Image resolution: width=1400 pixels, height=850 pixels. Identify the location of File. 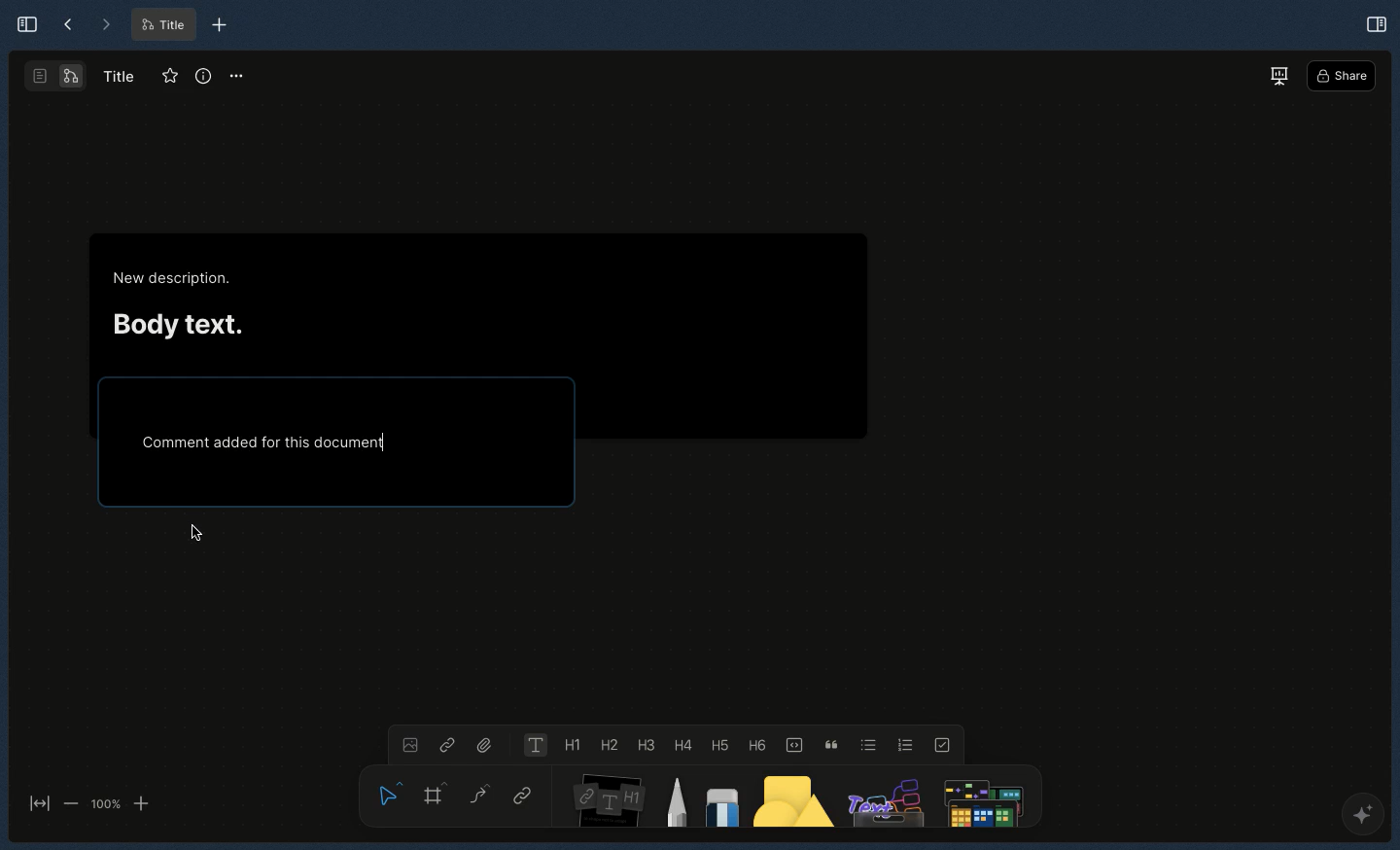
(486, 743).